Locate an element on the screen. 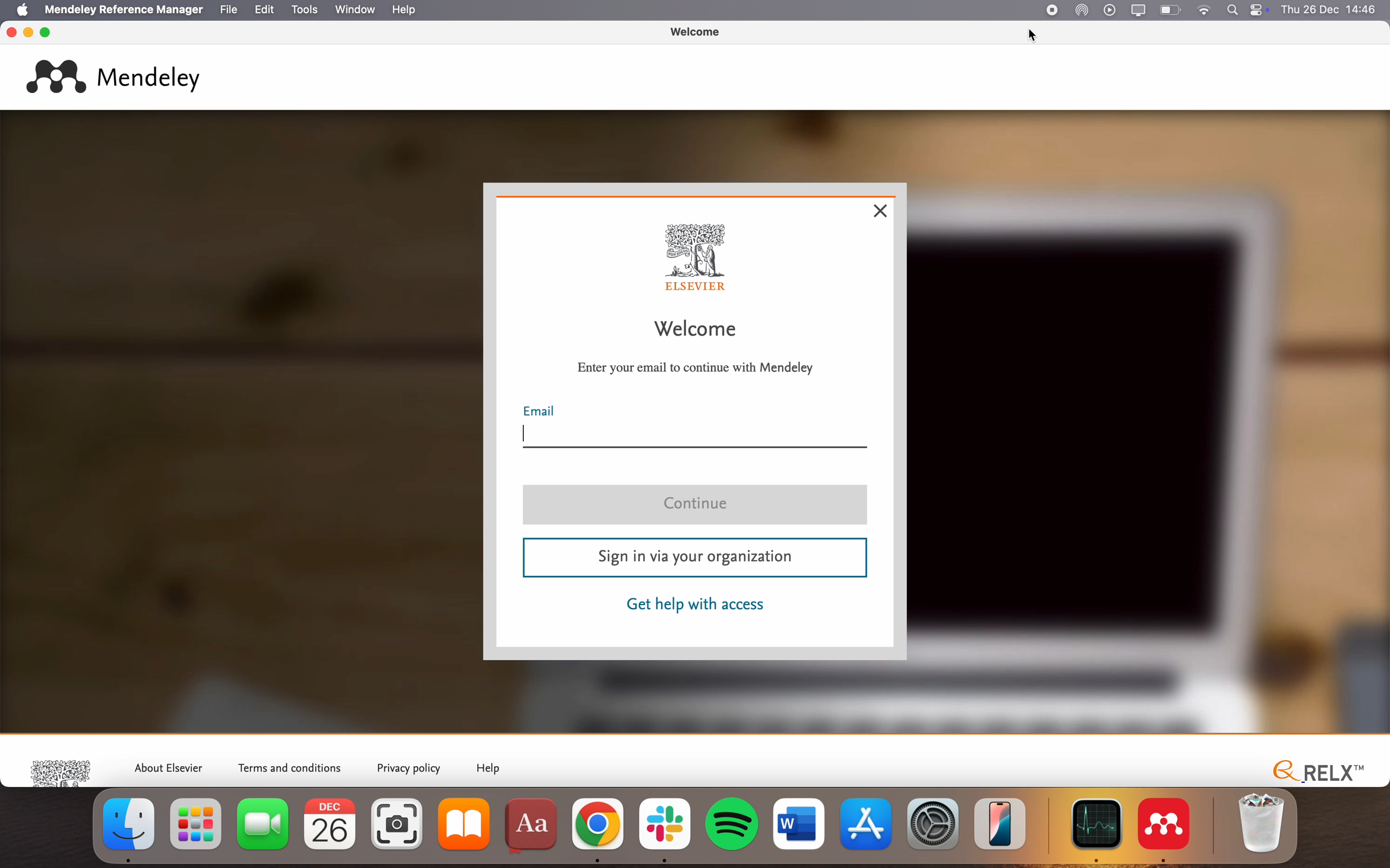 Image resolution: width=1390 pixels, height=868 pixels. relx  is located at coordinates (1315, 769).